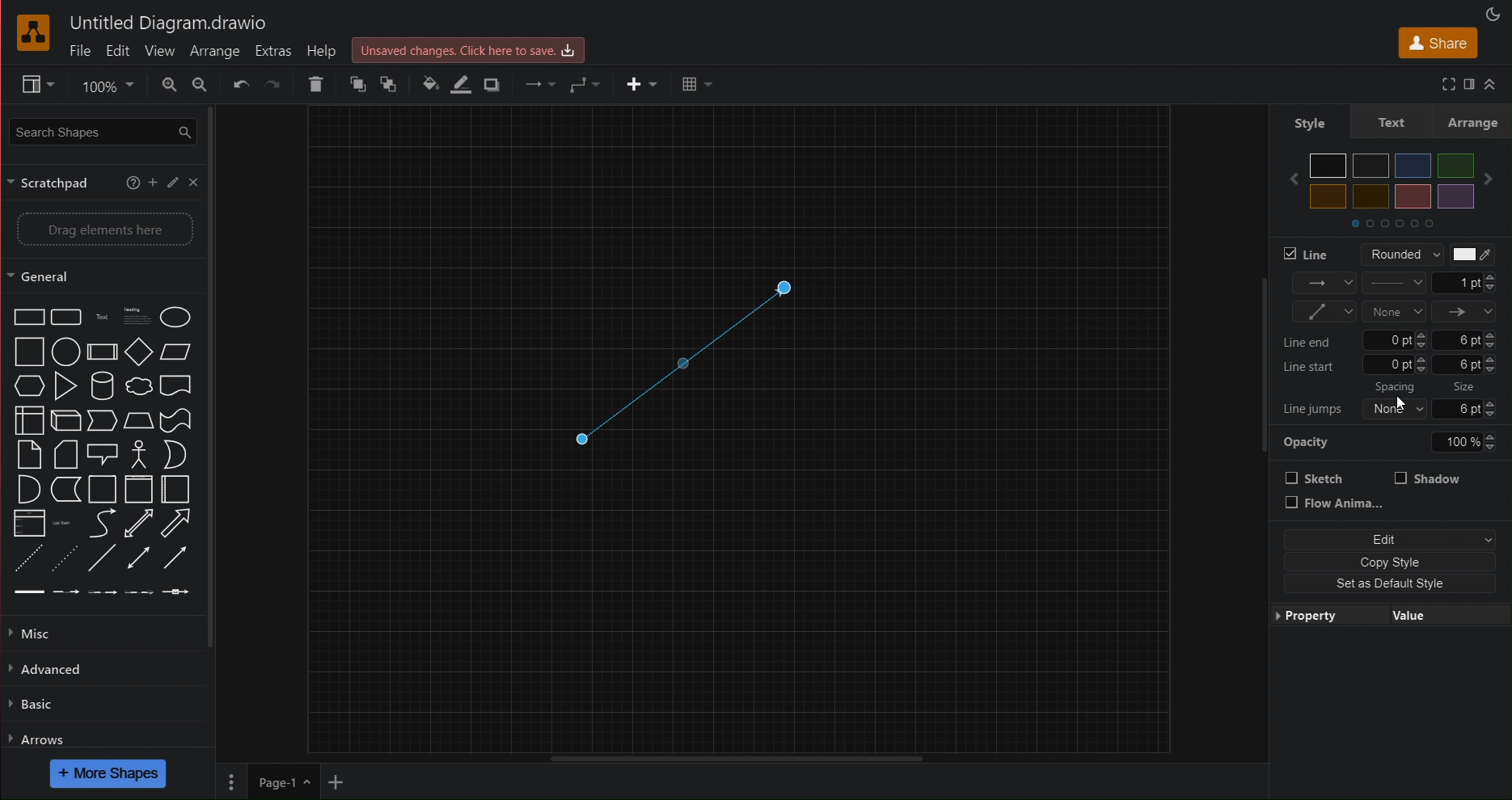  I want to click on Advanced, so click(50, 669).